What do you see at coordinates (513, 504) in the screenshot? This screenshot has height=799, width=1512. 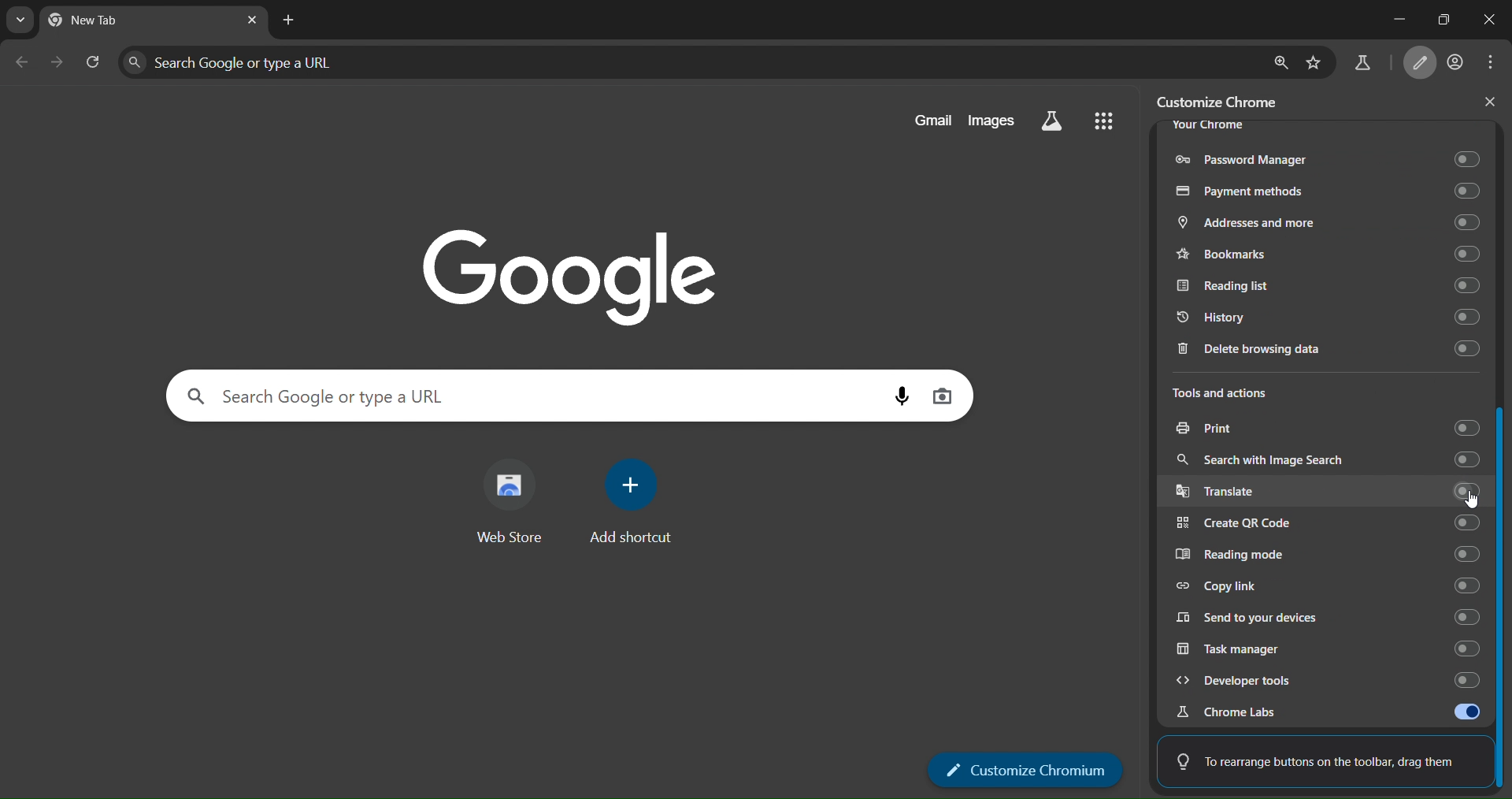 I see `web store` at bounding box center [513, 504].